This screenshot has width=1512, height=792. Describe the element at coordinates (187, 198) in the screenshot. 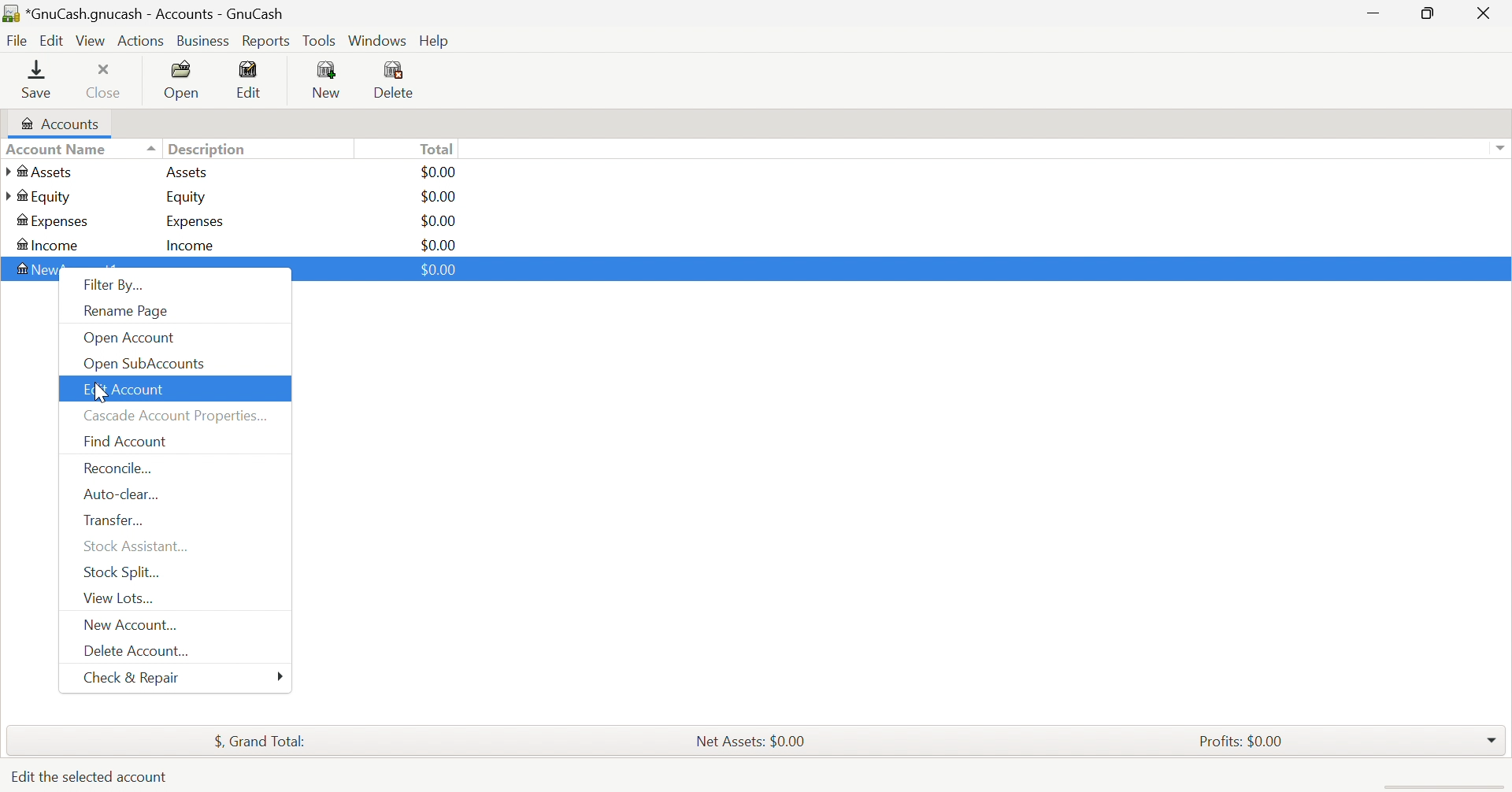

I see `Equity` at that location.